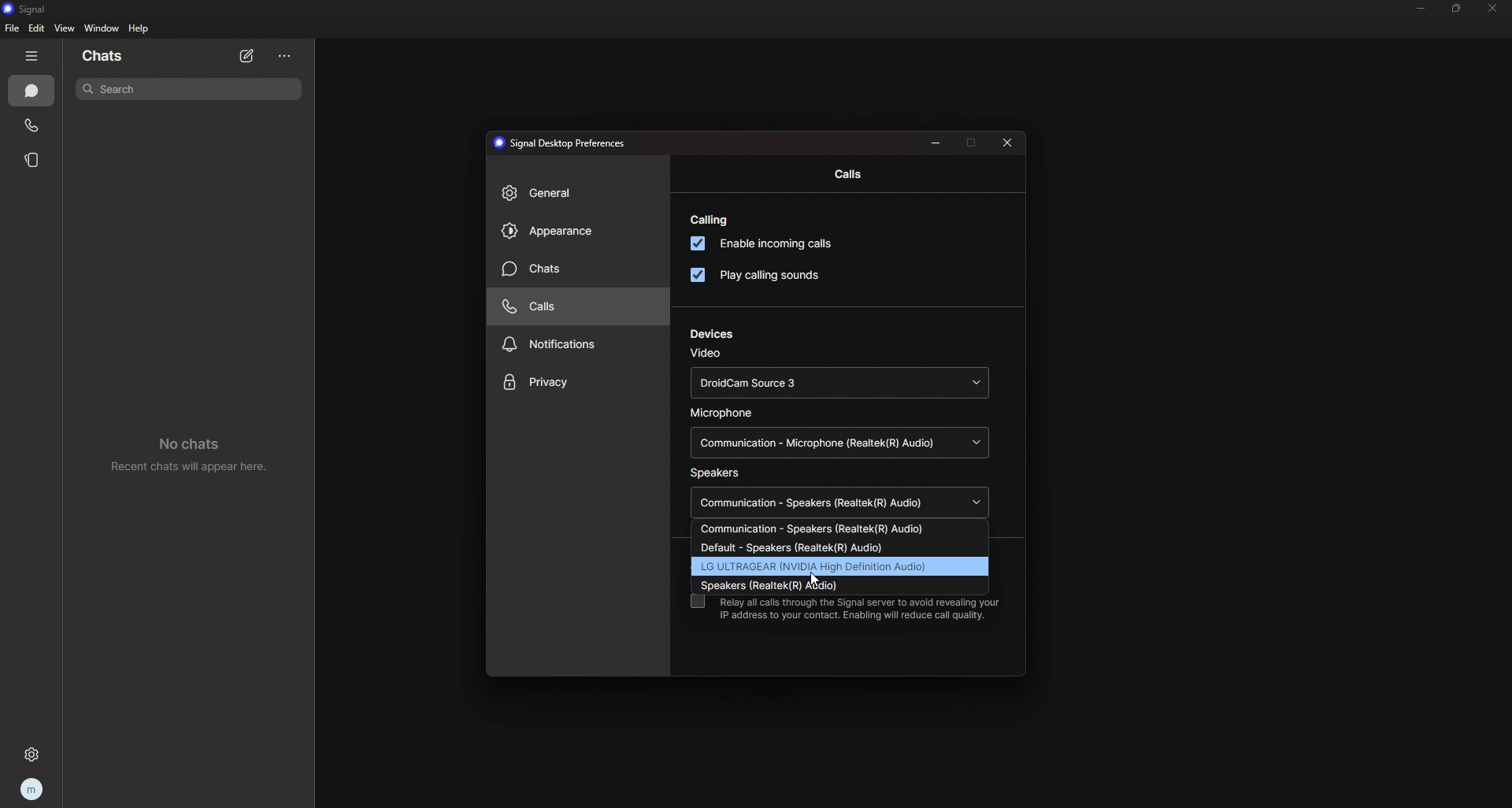 Image resolution: width=1512 pixels, height=808 pixels. I want to click on Speakers (Realtek(R) Atdio), so click(796, 584).